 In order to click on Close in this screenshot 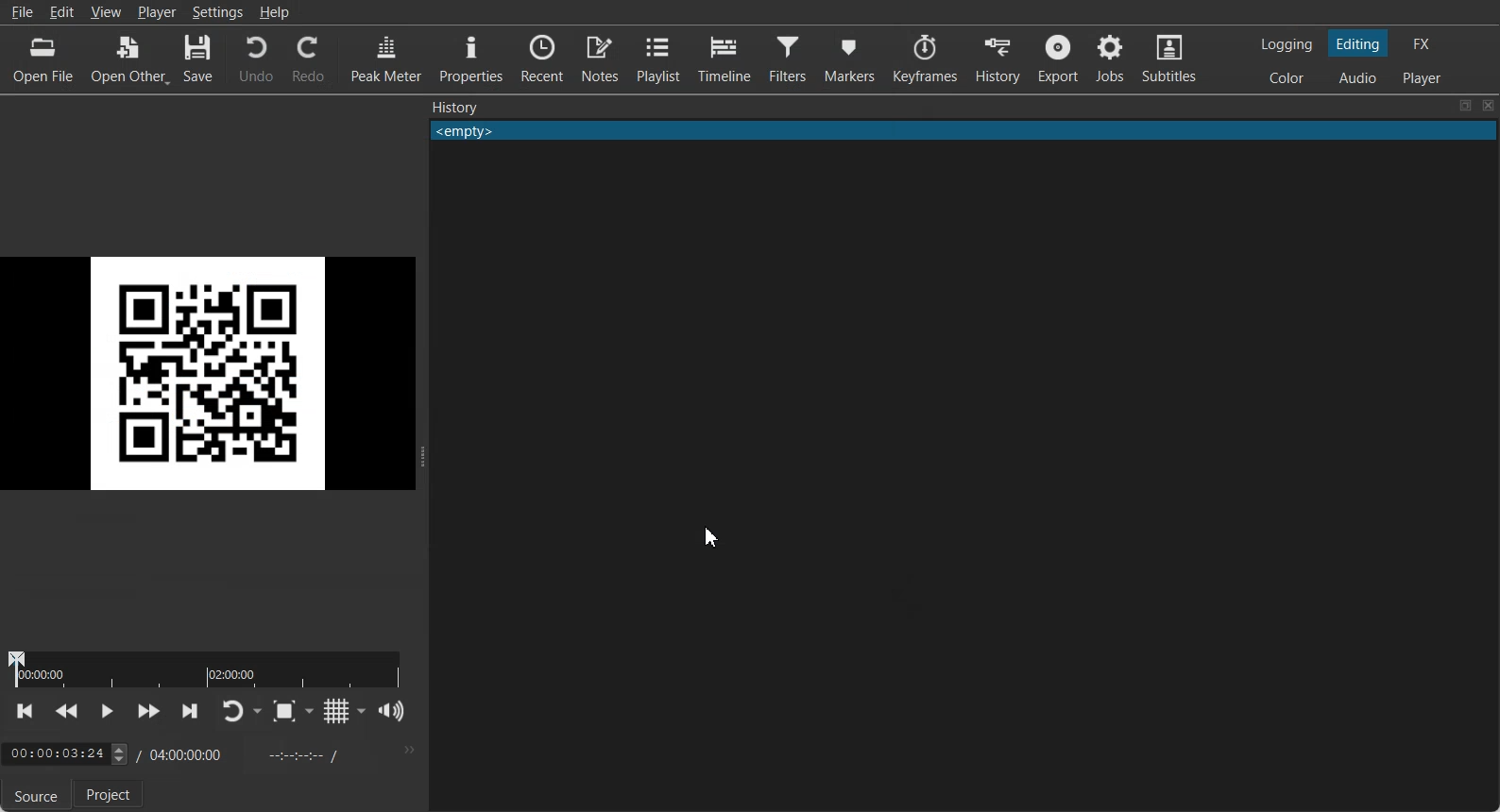, I will do `click(1489, 106)`.